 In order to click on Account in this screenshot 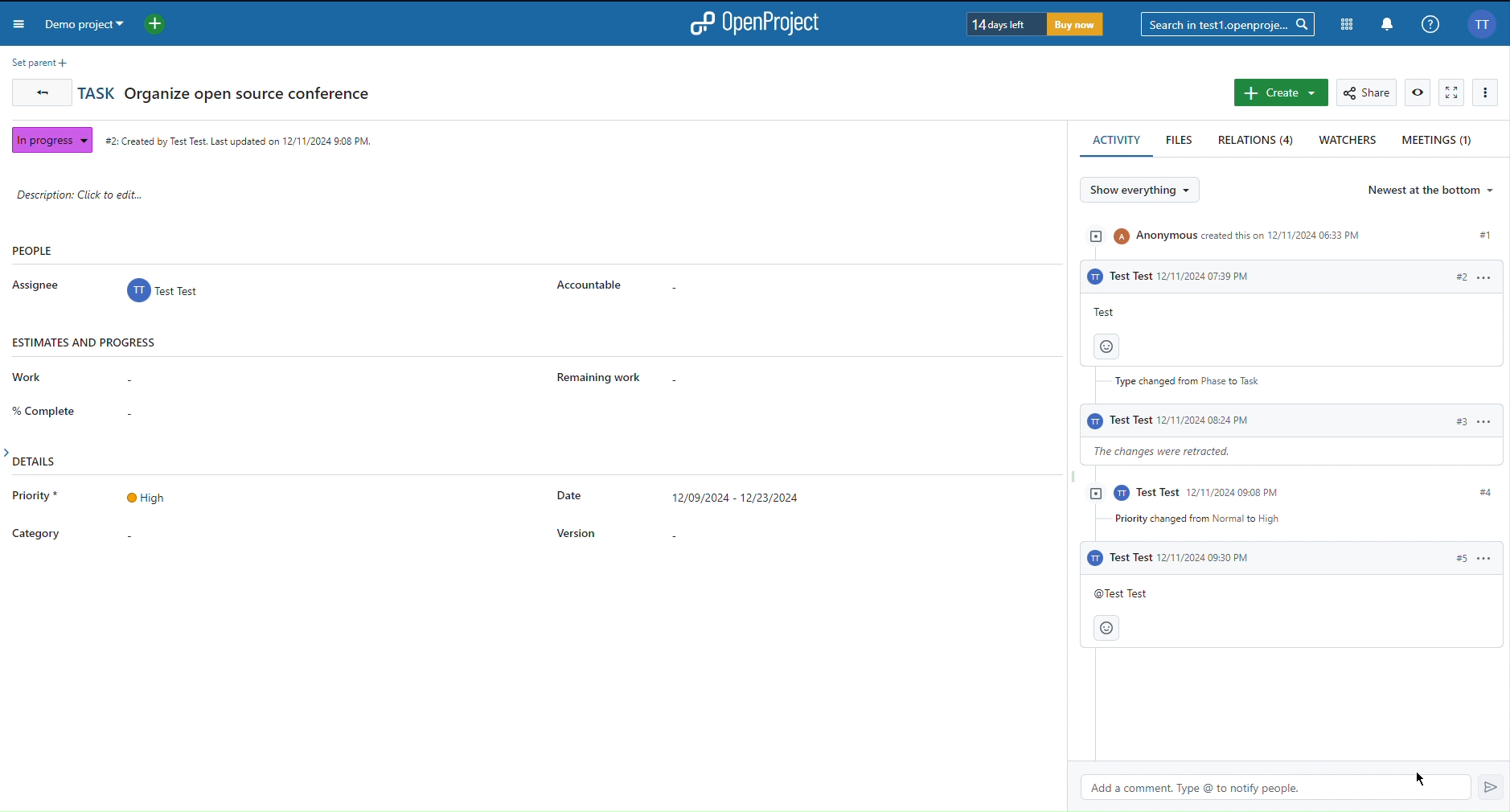, I will do `click(1481, 24)`.